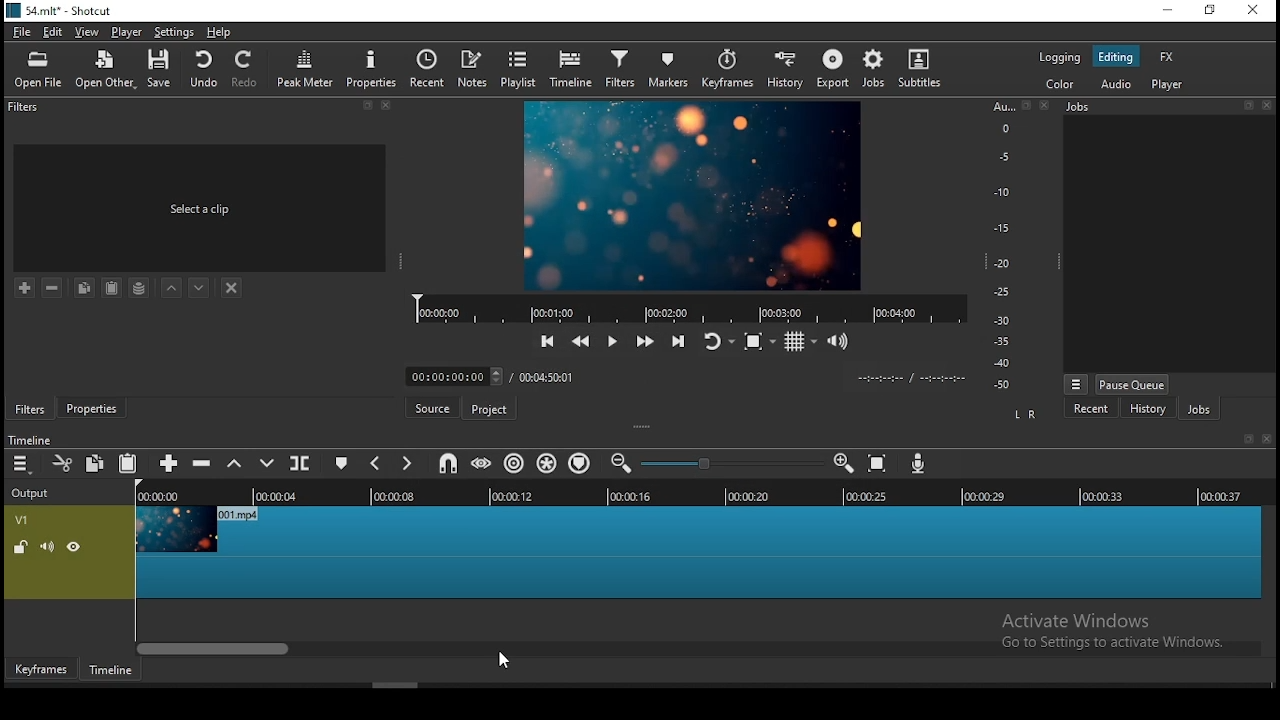  Describe the element at coordinates (1169, 58) in the screenshot. I see `fx` at that location.